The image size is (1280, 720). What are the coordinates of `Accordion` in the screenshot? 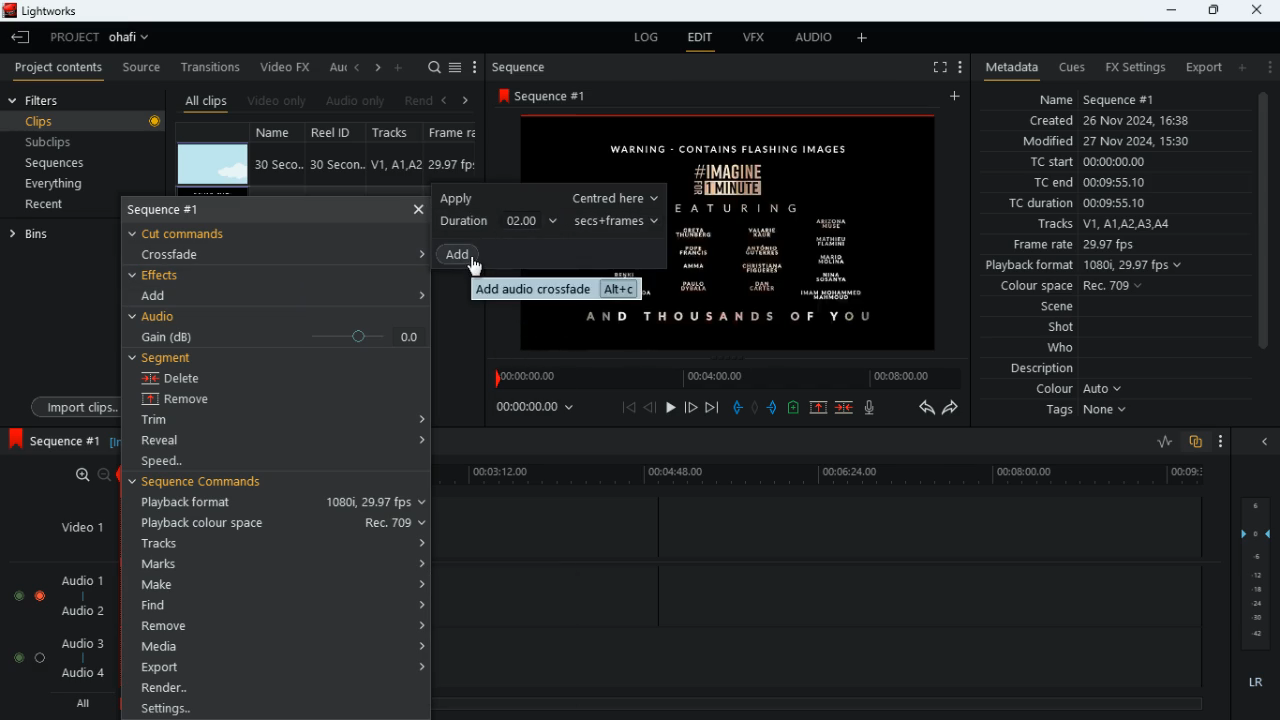 It's located at (418, 253).